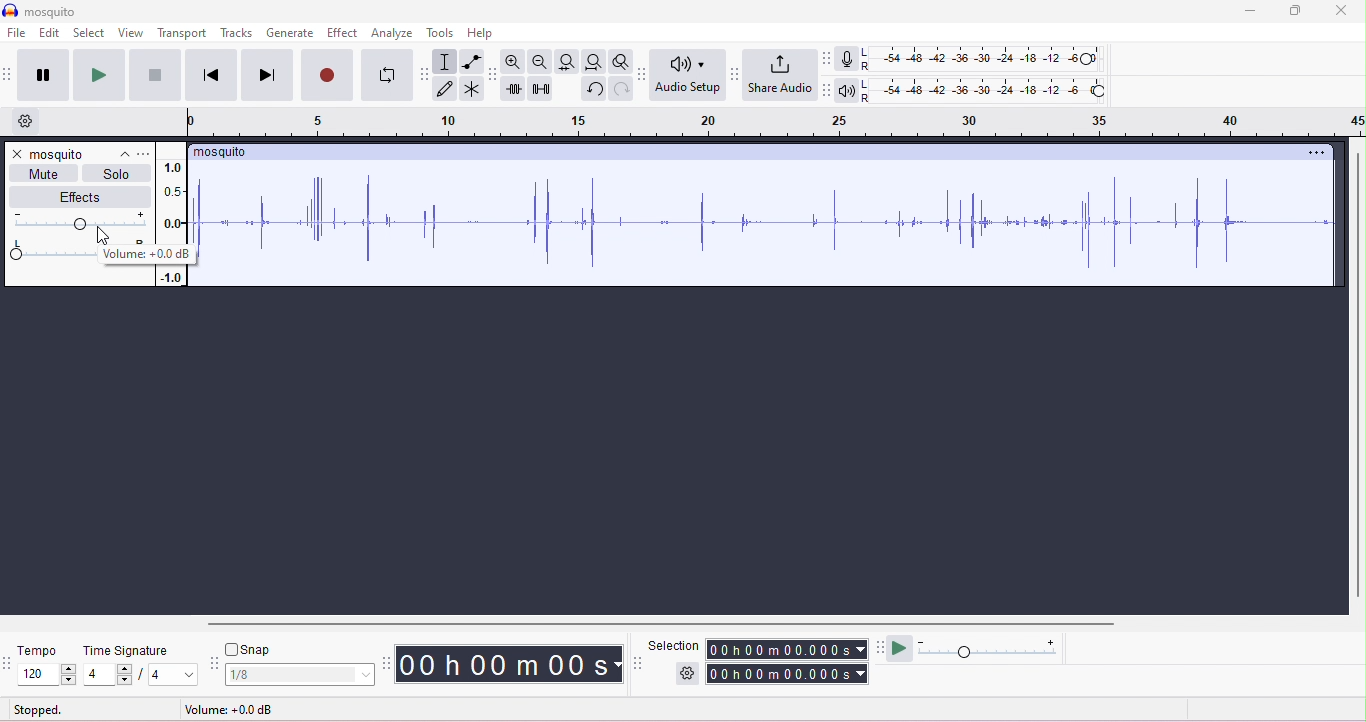 The image size is (1366, 722). I want to click on time signature, so click(126, 650).